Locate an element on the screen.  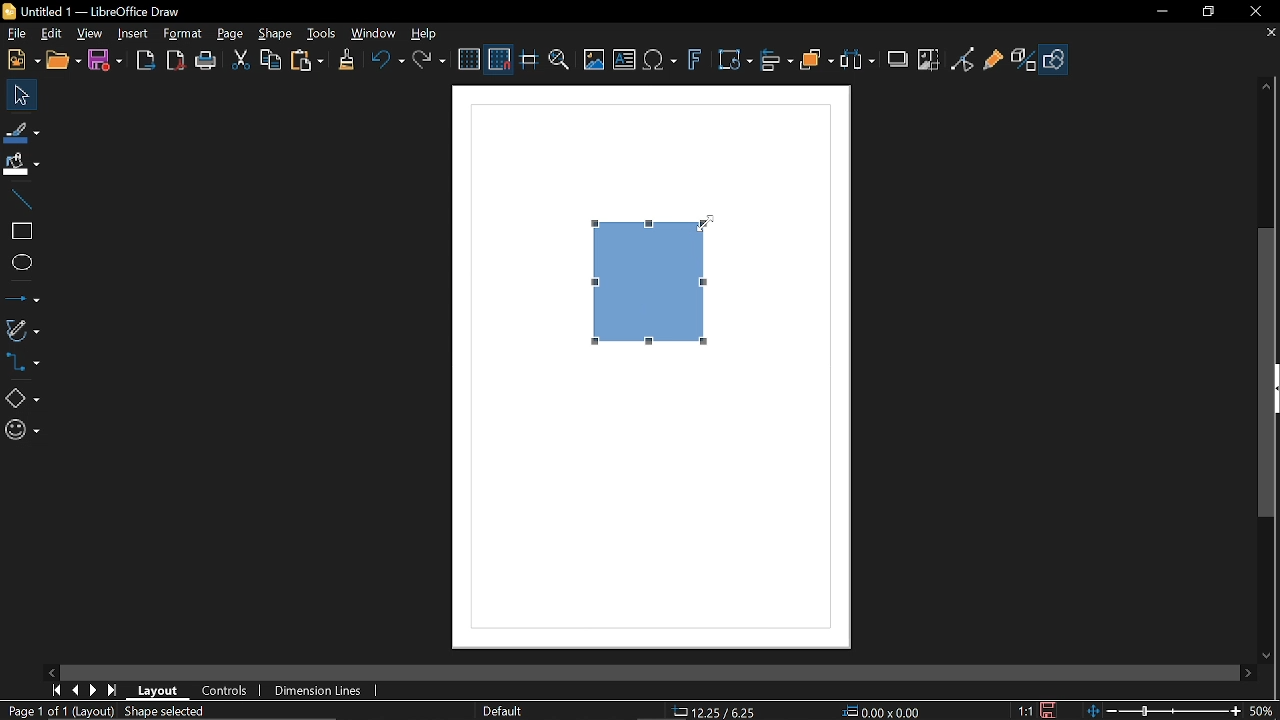
Show draw functions is located at coordinates (1056, 59).